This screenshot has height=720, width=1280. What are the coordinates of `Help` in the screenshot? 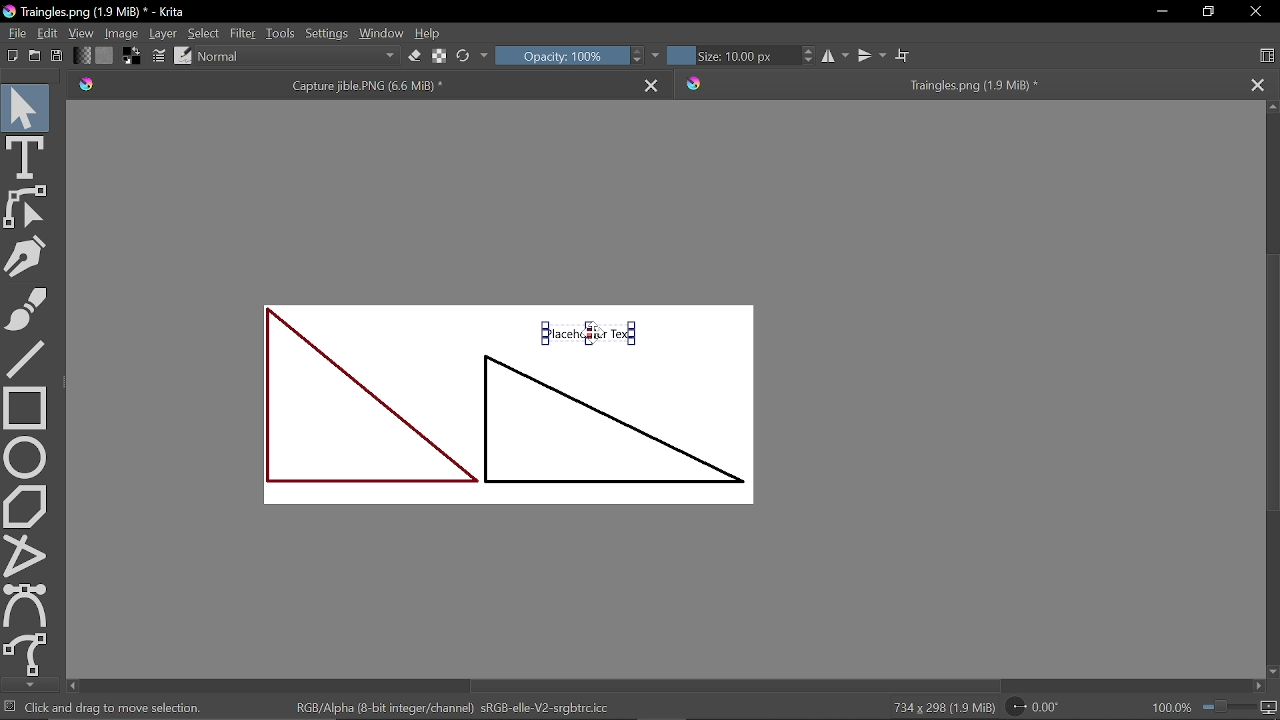 It's located at (429, 33).